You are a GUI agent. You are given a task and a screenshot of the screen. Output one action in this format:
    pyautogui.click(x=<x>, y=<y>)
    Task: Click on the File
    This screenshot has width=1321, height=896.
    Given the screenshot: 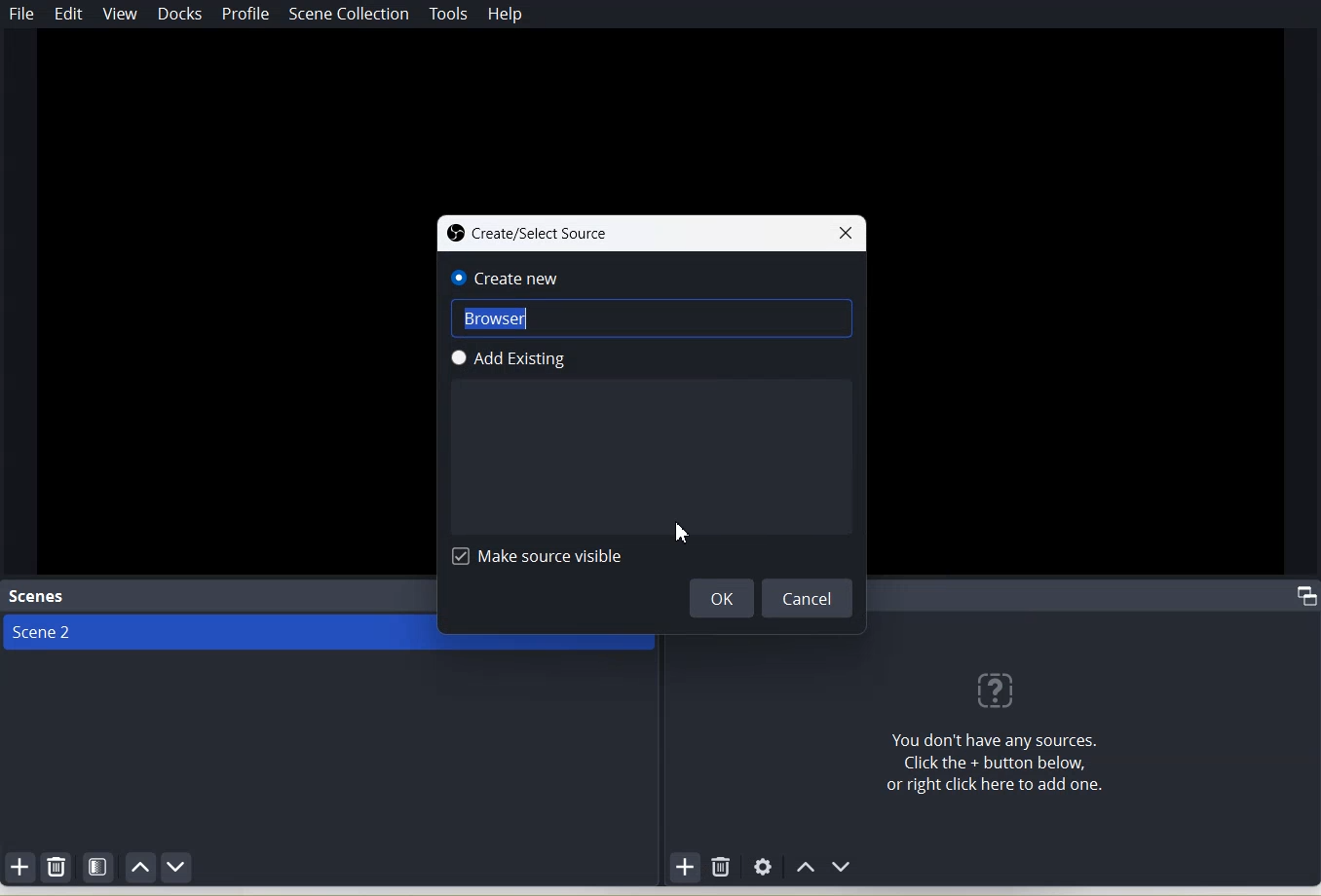 What is the action you would take?
    pyautogui.click(x=22, y=14)
    